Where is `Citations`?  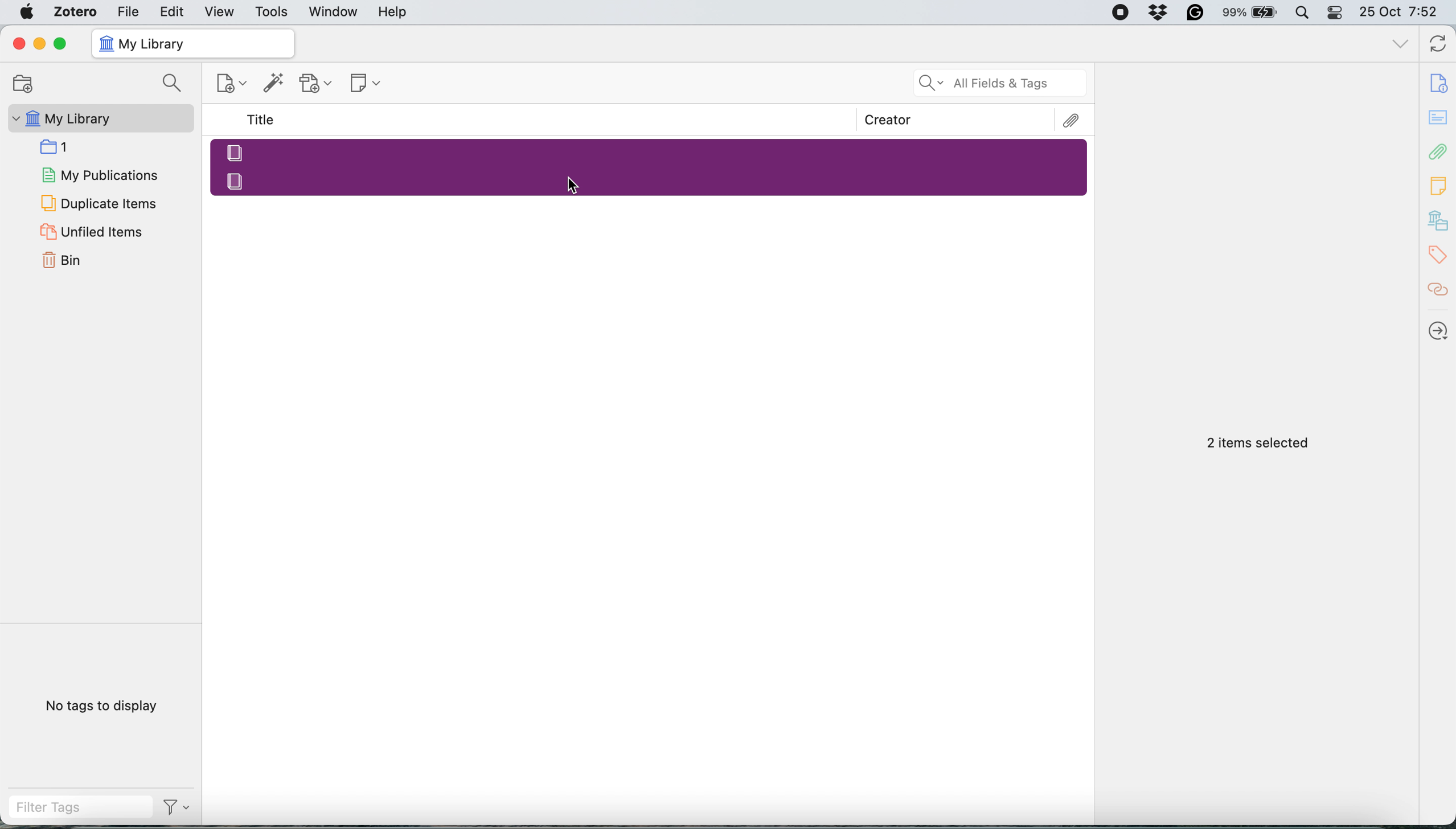
Citations is located at coordinates (1439, 290).